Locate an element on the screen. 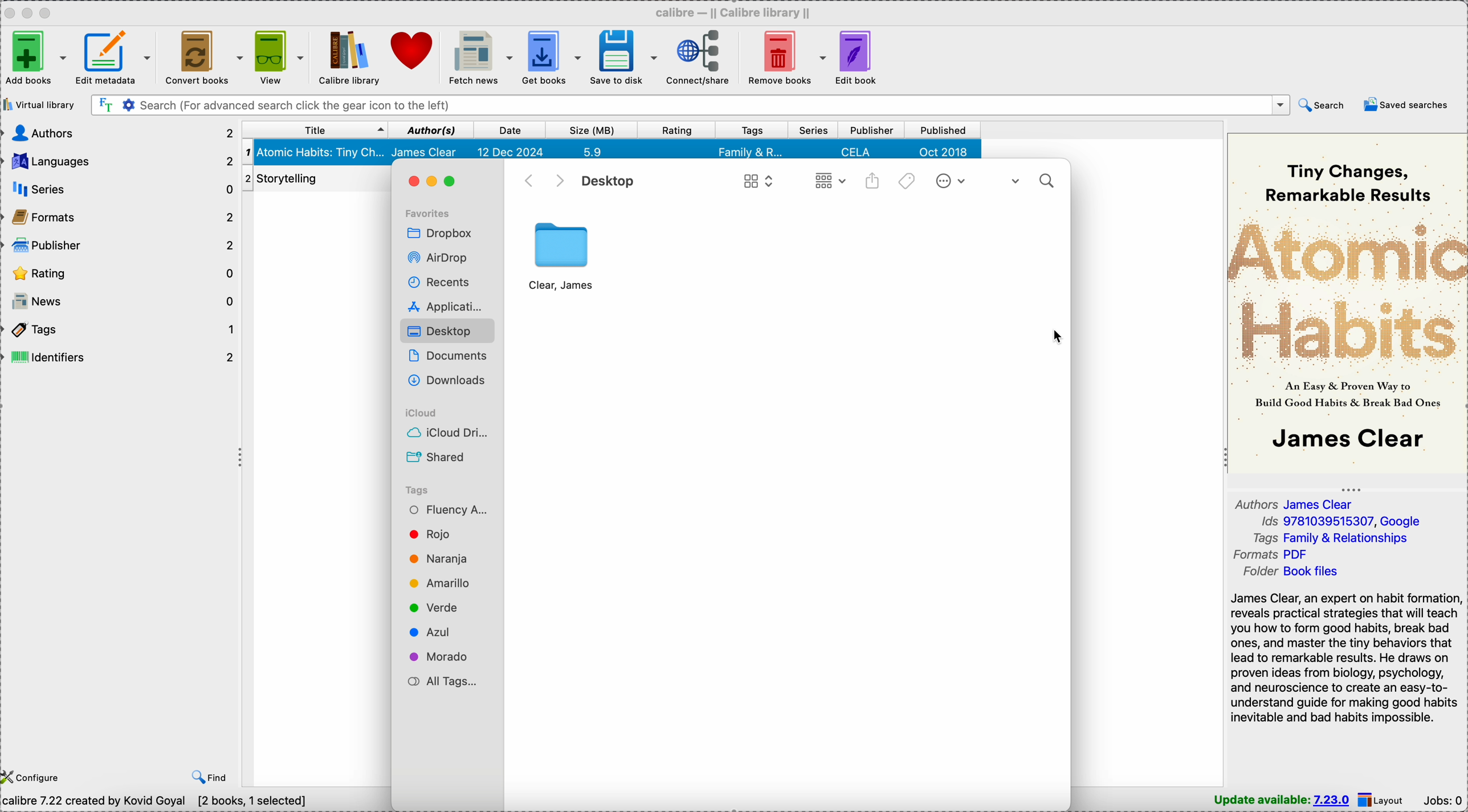 The height and width of the screenshot is (812, 1468). Dropbox is located at coordinates (438, 232).